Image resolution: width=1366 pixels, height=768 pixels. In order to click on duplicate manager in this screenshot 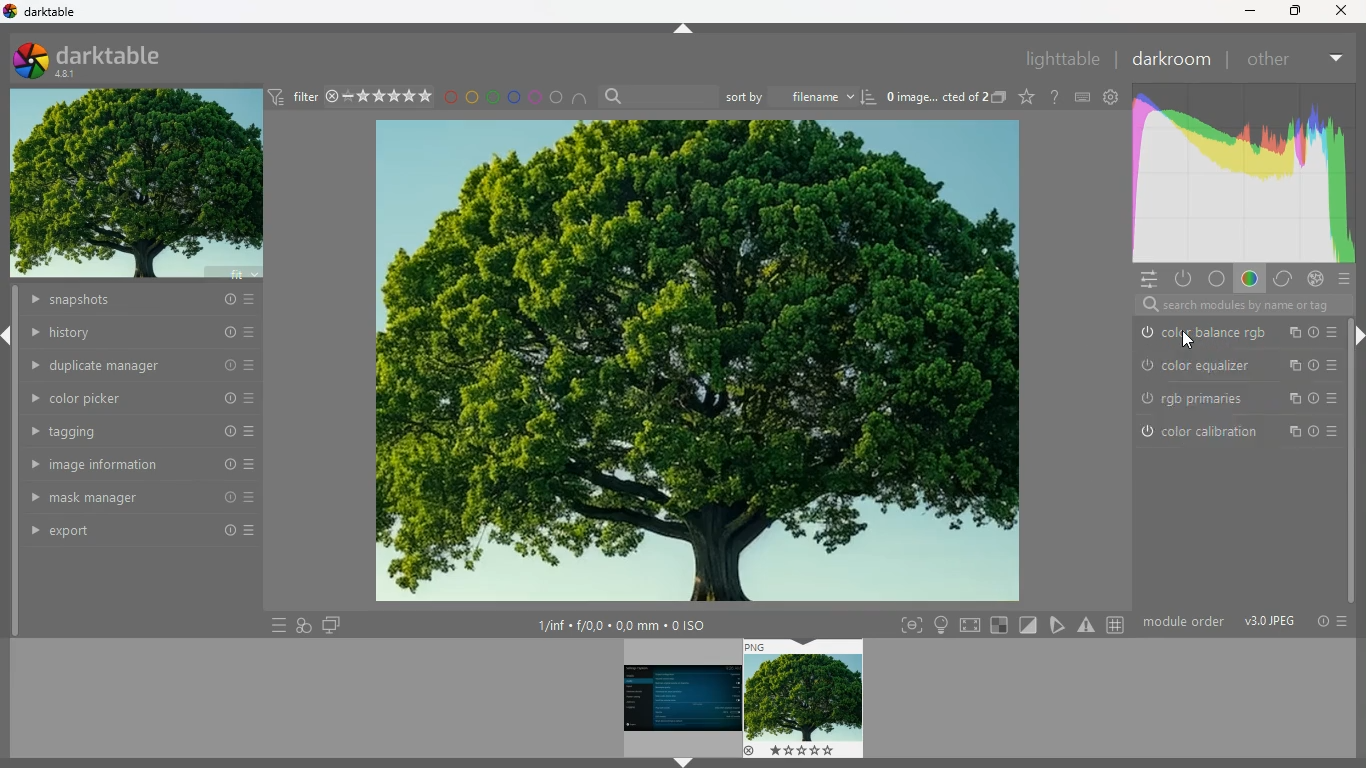, I will do `click(143, 364)`.